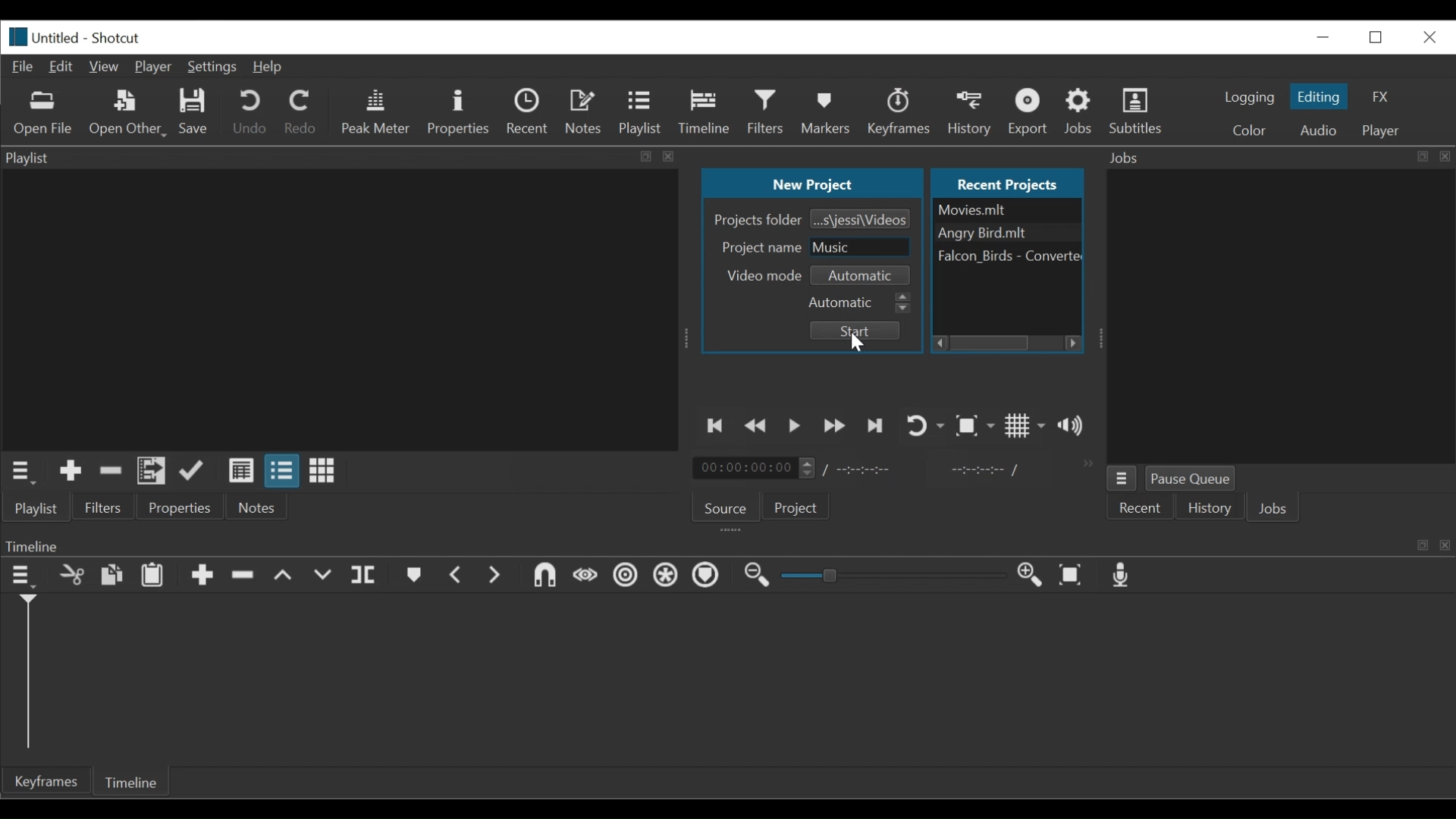 This screenshot has width=1456, height=819. Describe the element at coordinates (1319, 130) in the screenshot. I see `Audio` at that location.